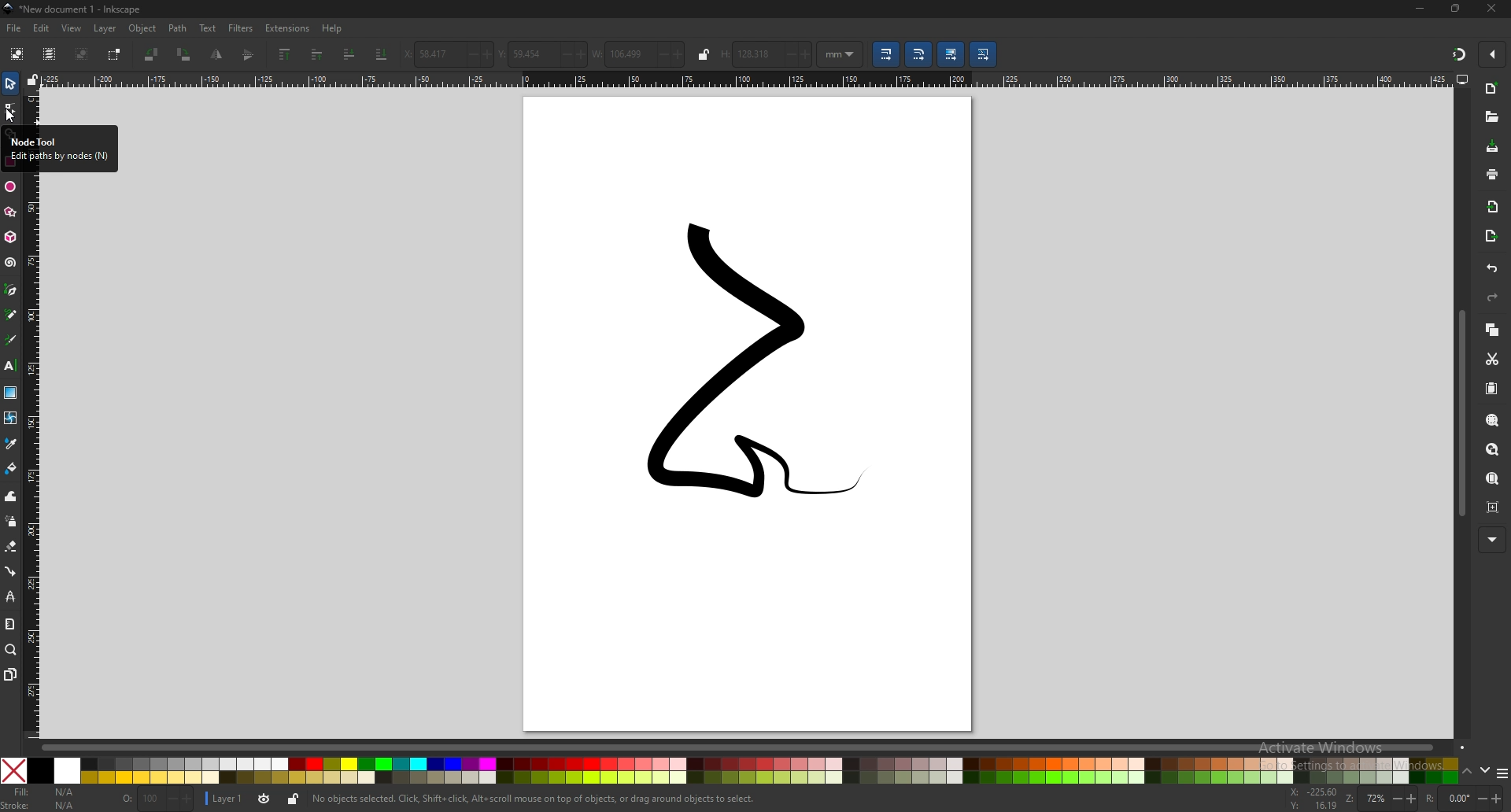 This screenshot has width=1511, height=812. What do you see at coordinates (286, 55) in the screenshot?
I see `raise selection to top` at bounding box center [286, 55].